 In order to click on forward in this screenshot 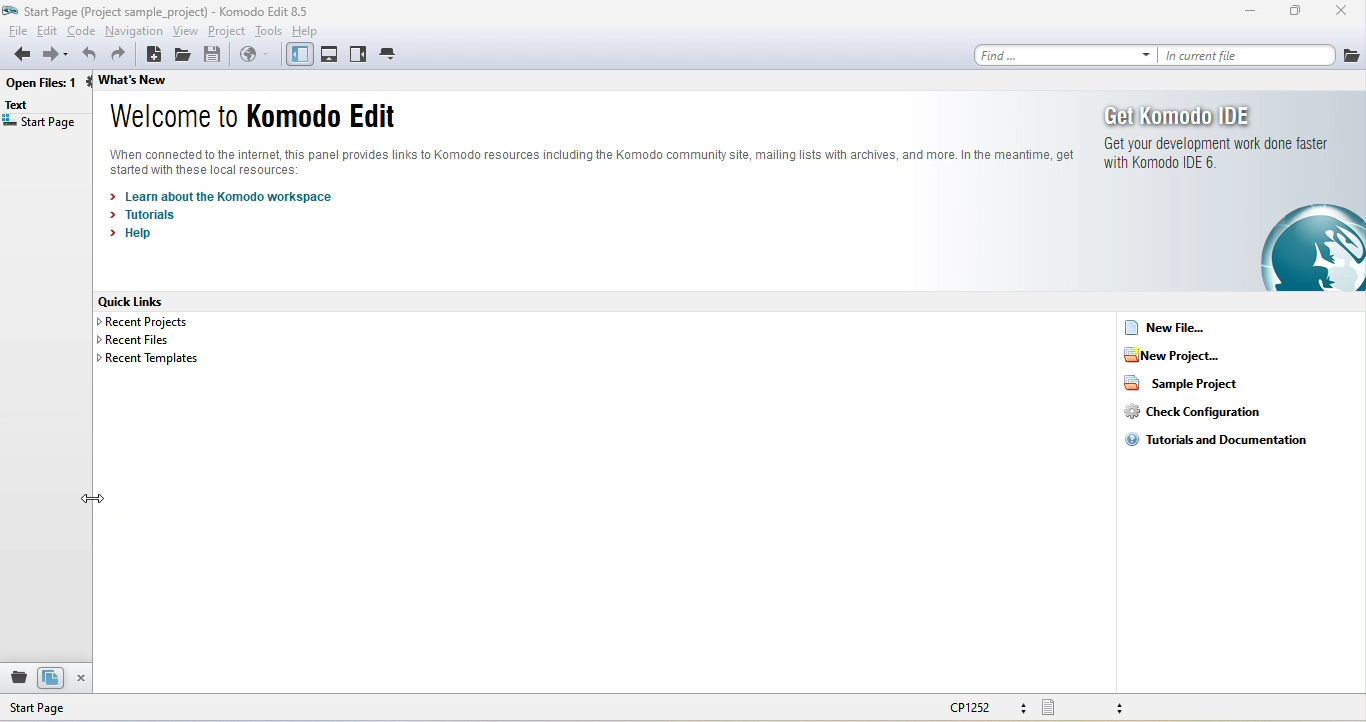, I will do `click(54, 56)`.